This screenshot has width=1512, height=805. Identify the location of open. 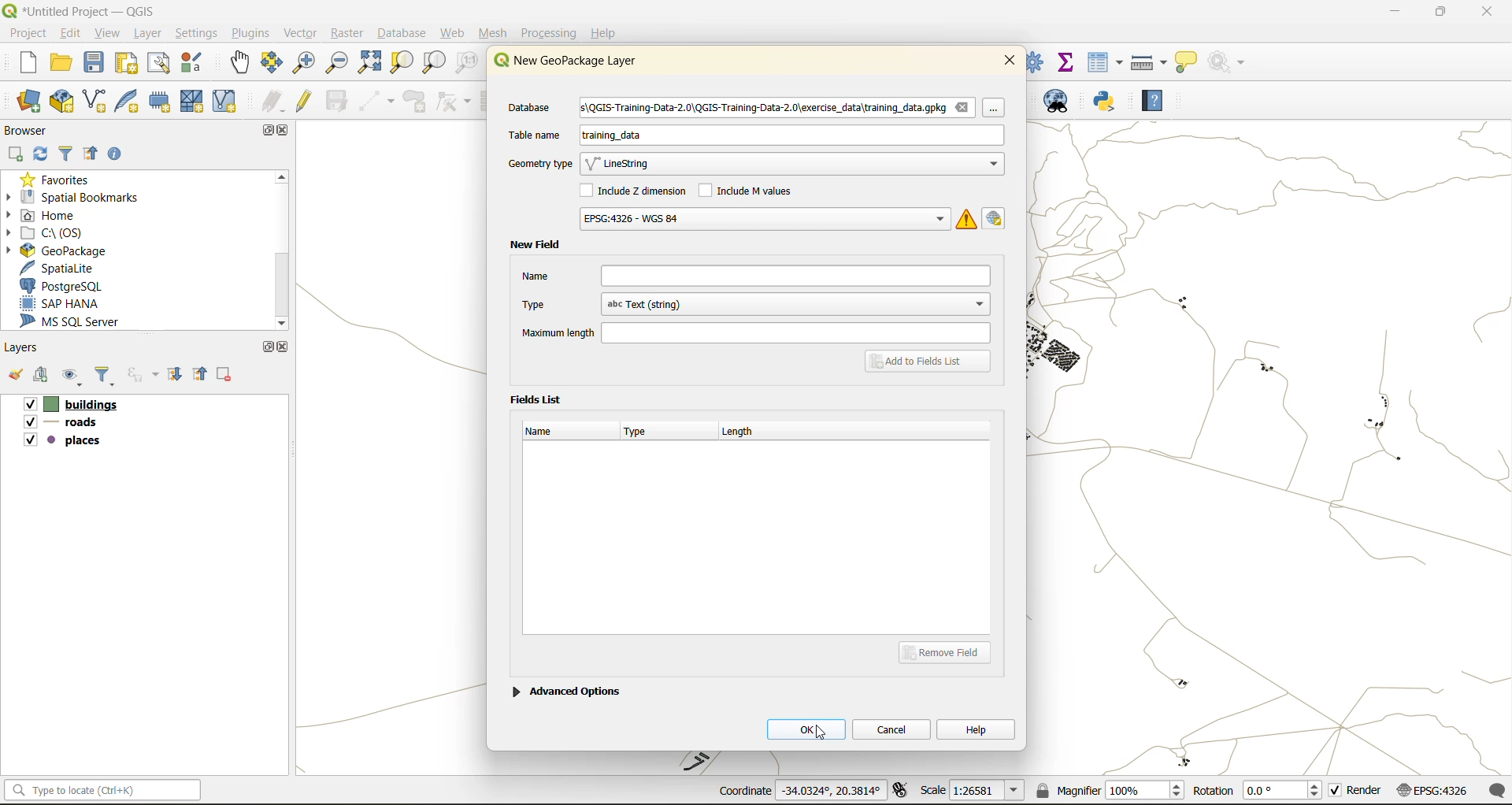
(62, 65).